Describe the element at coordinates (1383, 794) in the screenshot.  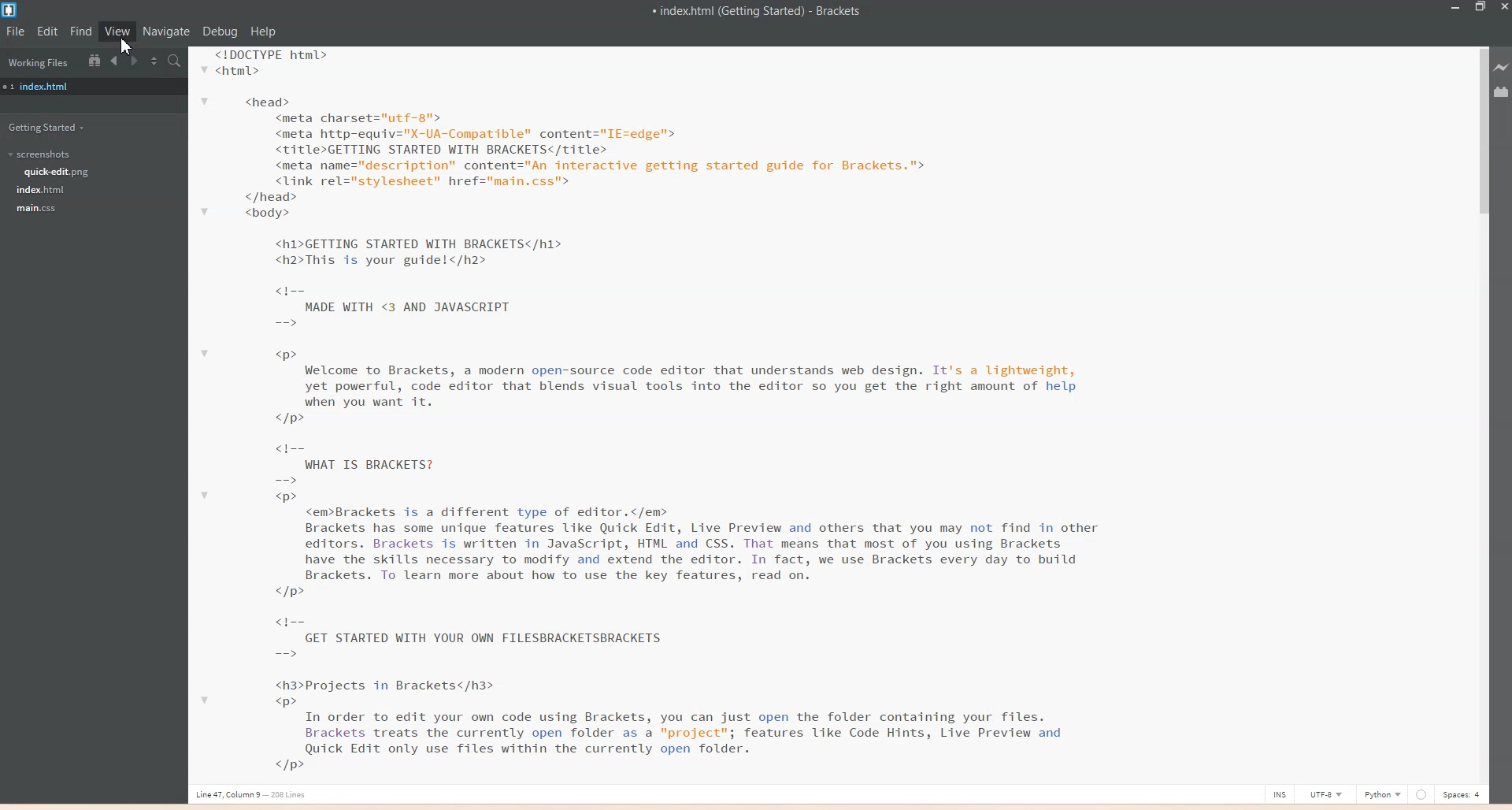
I see `Python` at that location.